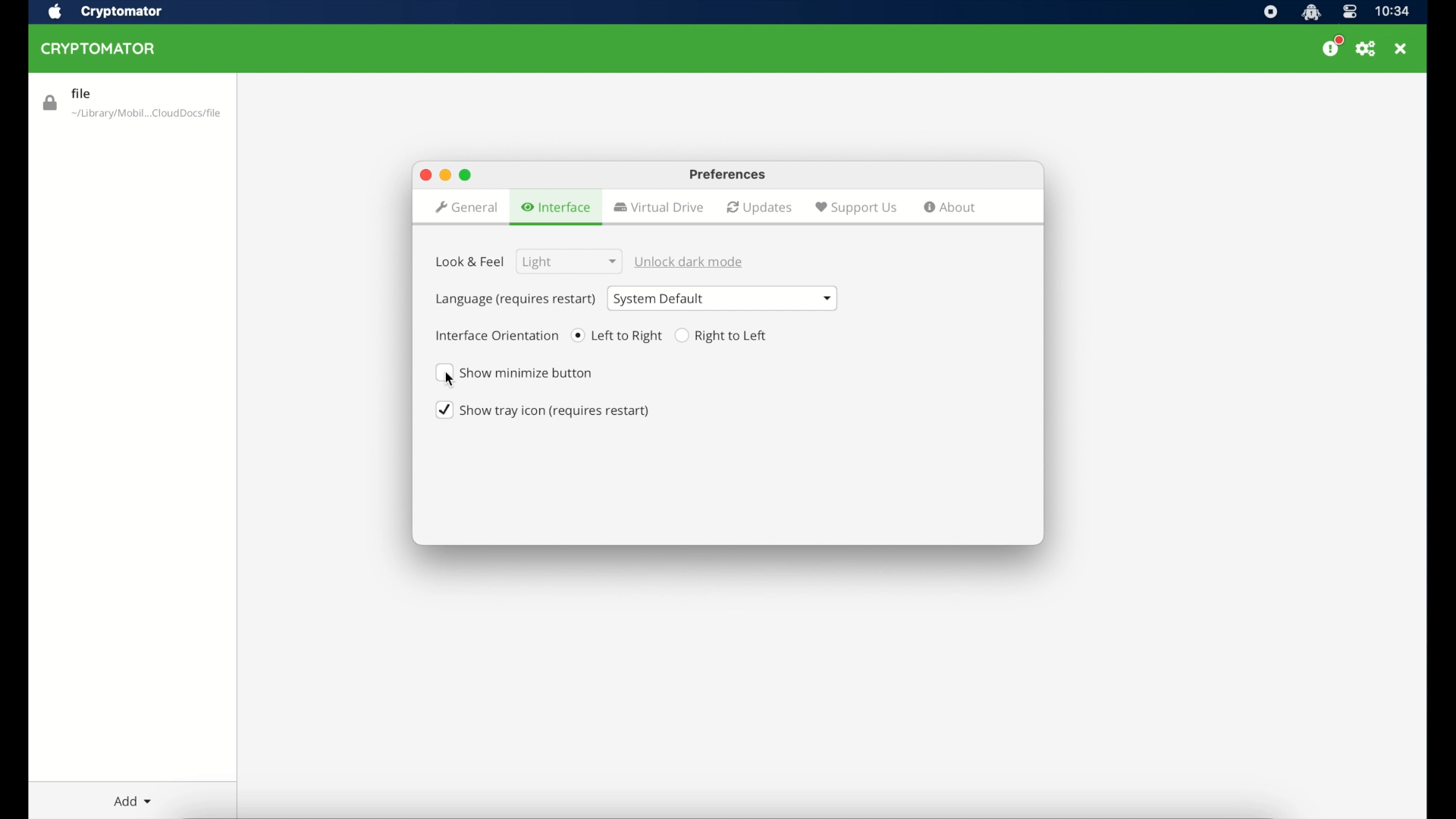 This screenshot has height=819, width=1456. I want to click on checkbox, so click(543, 410).